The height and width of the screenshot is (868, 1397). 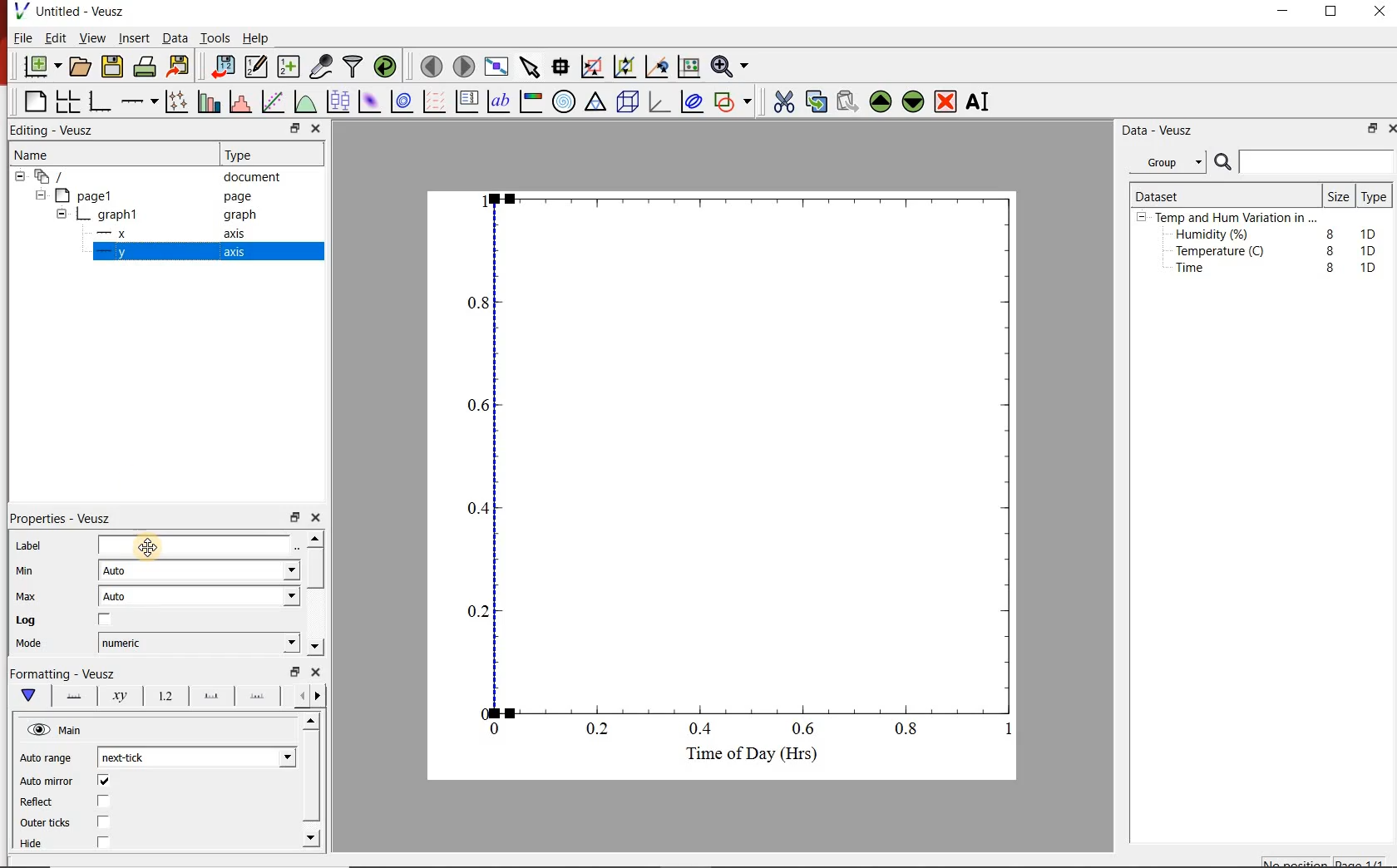 I want to click on restore down, so click(x=294, y=518).